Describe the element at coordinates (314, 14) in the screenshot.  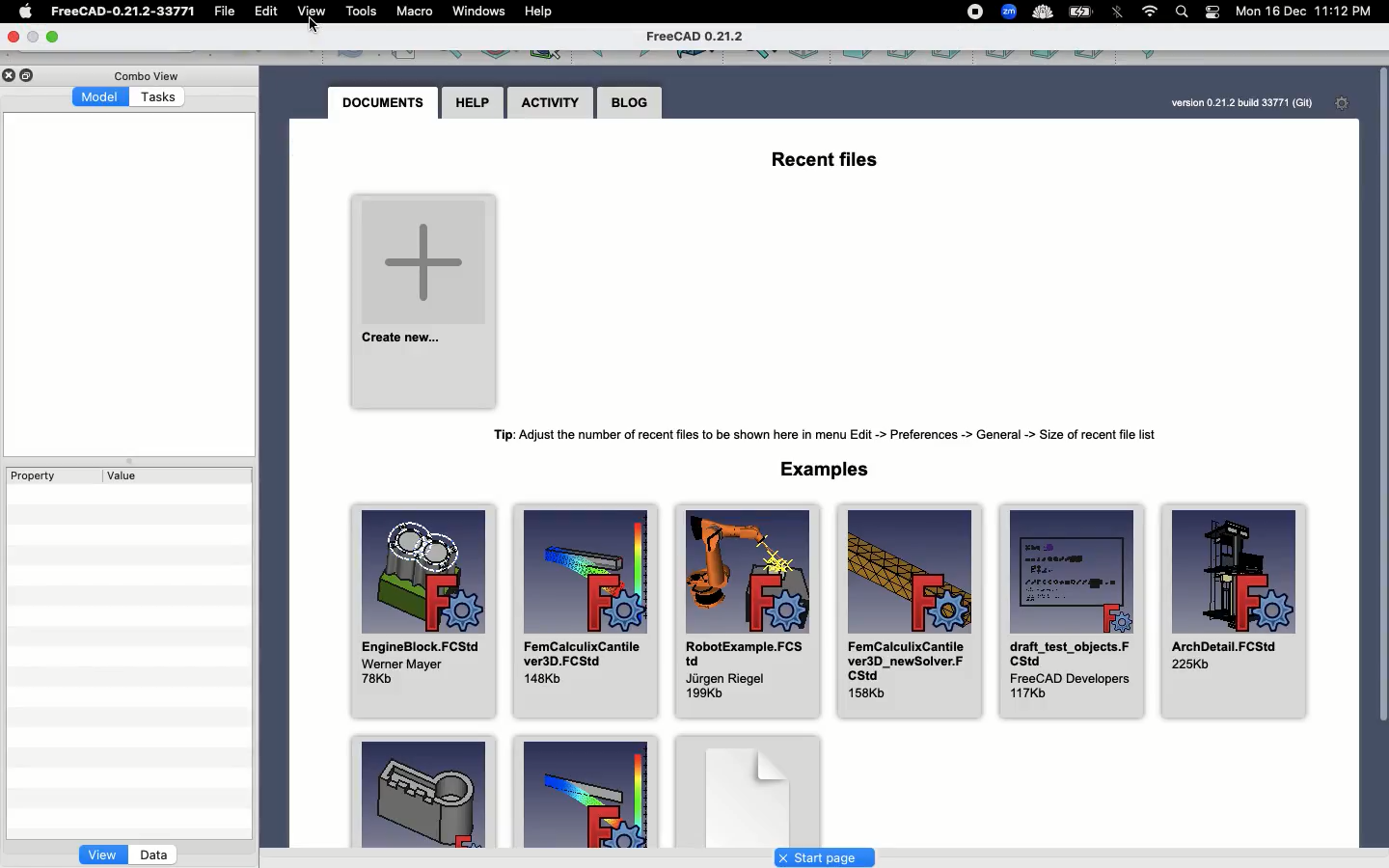
I see `View` at that location.